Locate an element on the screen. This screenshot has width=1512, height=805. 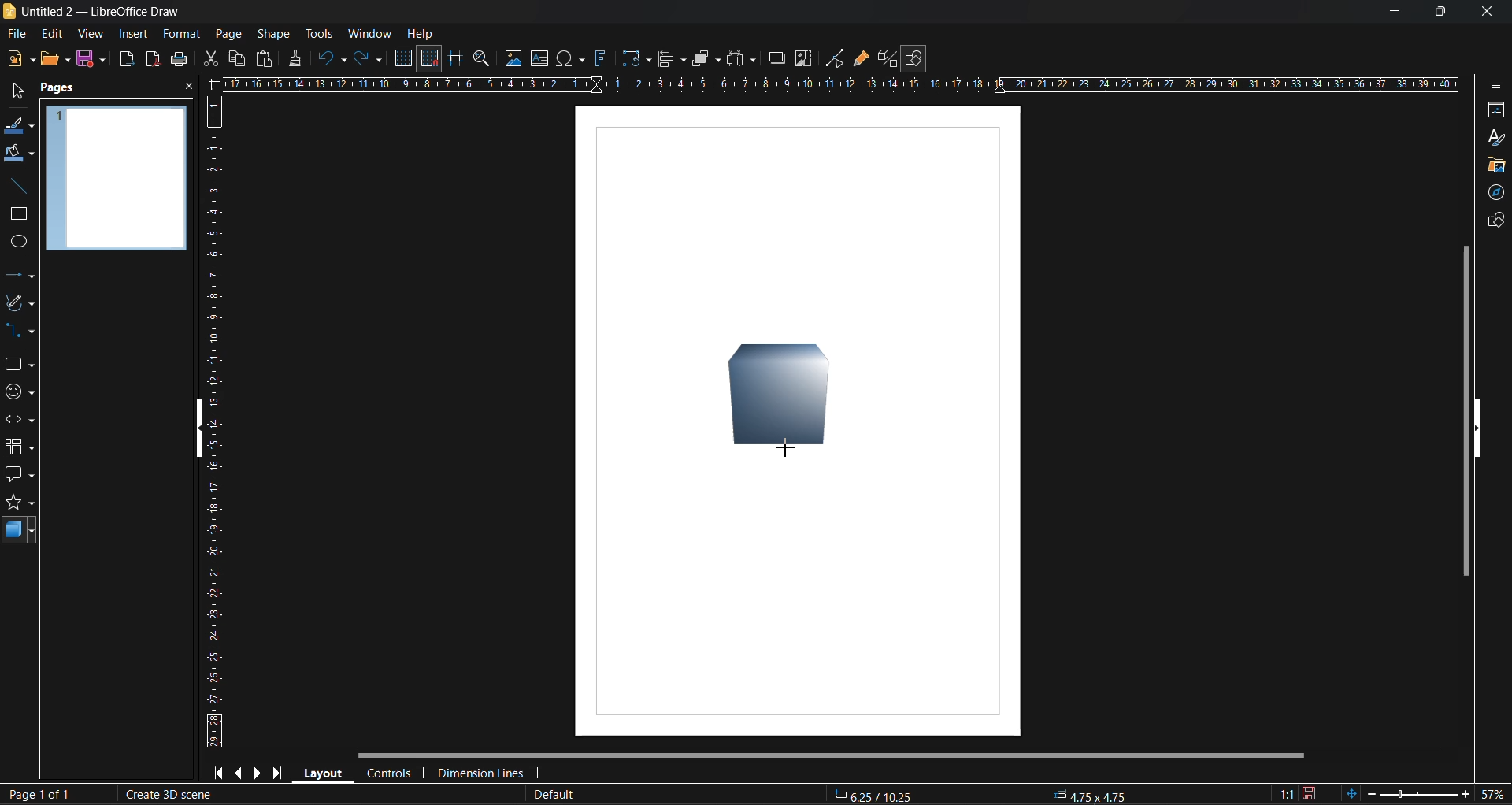
textbox is located at coordinates (542, 58).